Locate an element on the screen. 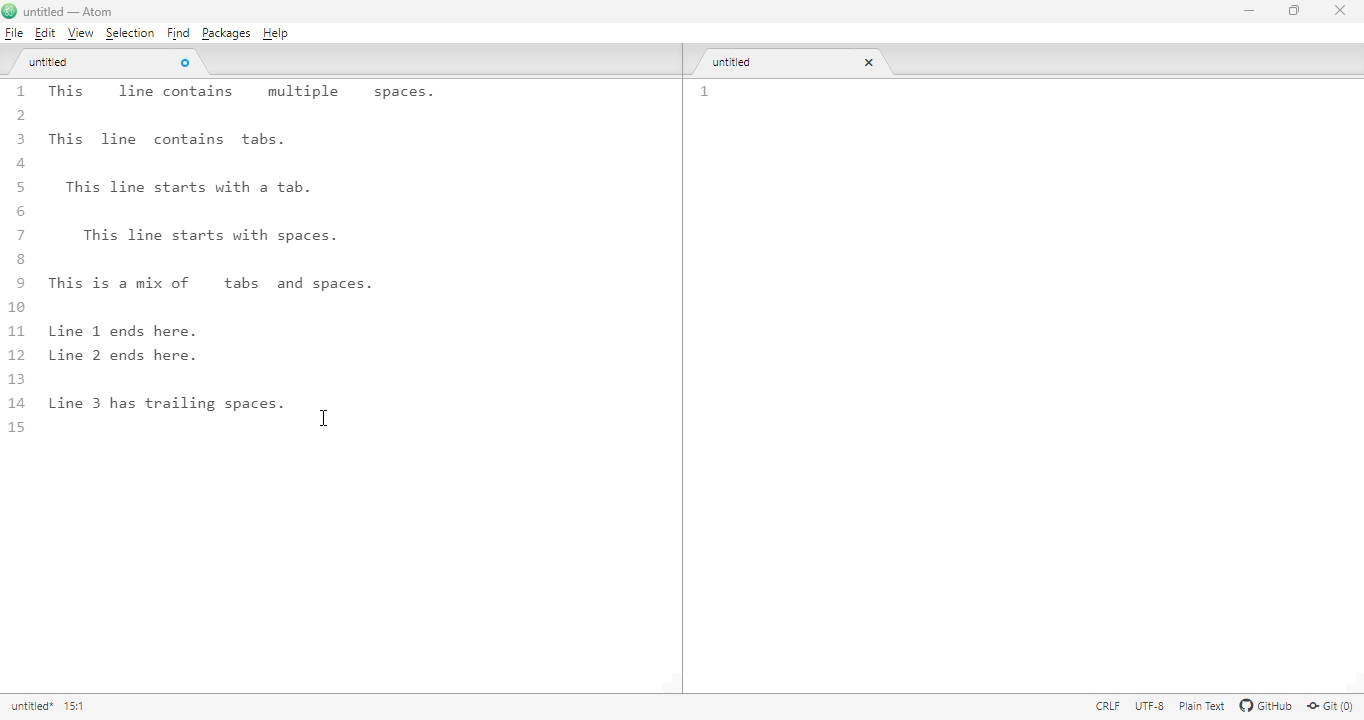 This screenshot has width=1364, height=720. file is located at coordinates (14, 33).